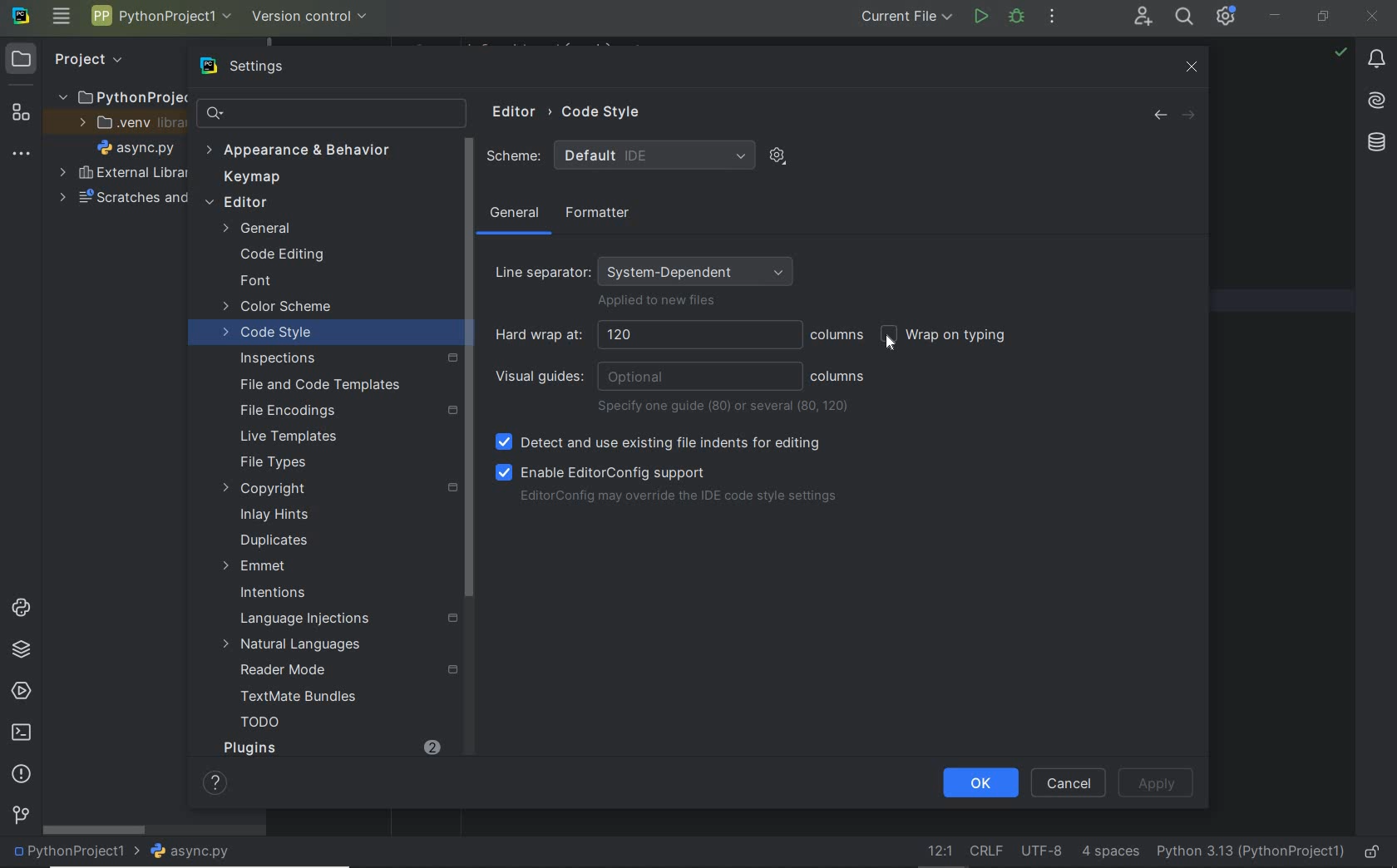 Image resolution: width=1397 pixels, height=868 pixels. I want to click on code with me, so click(1142, 18).